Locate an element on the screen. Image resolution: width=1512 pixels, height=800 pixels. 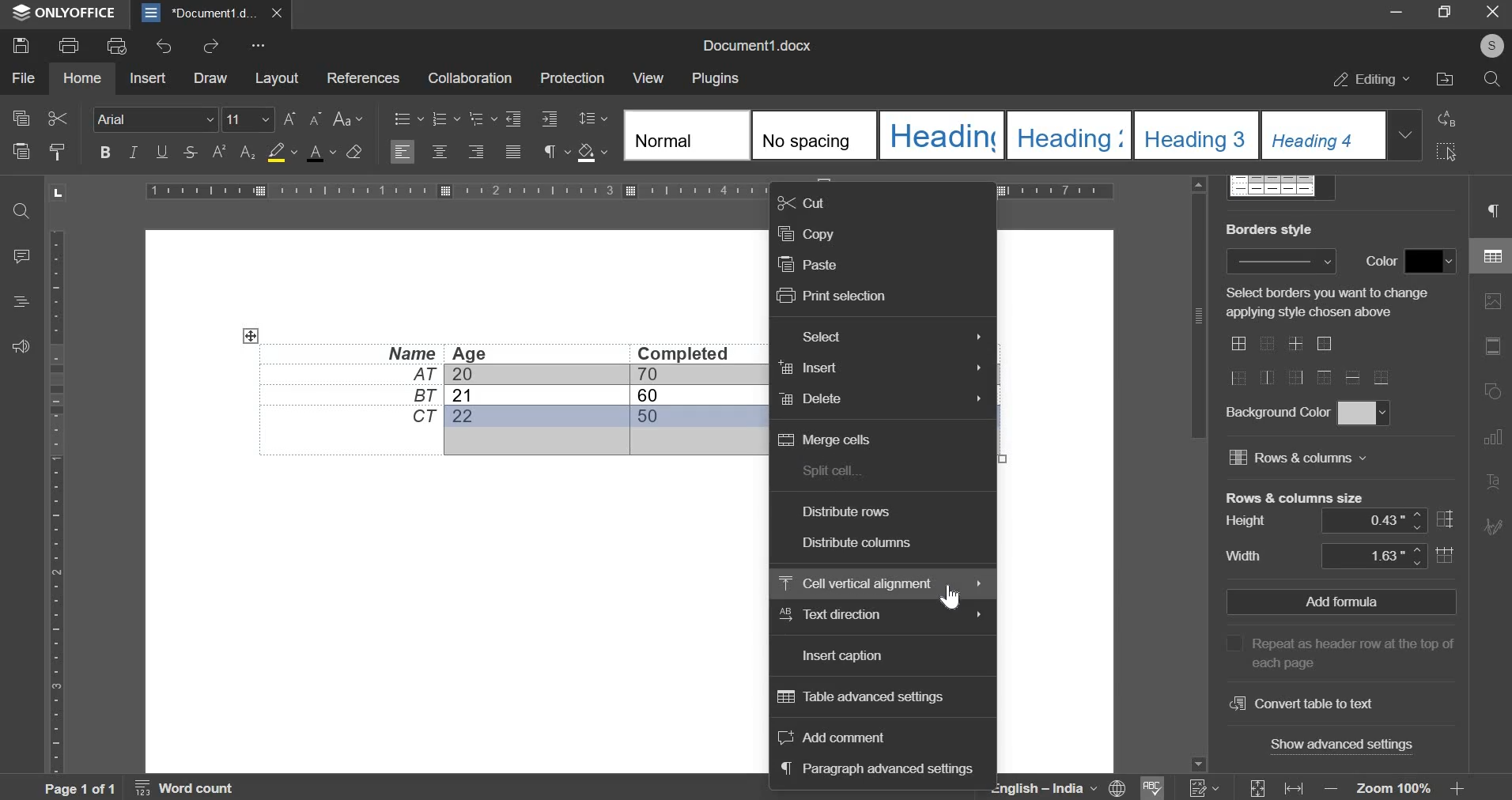
font is located at coordinates (155, 119).